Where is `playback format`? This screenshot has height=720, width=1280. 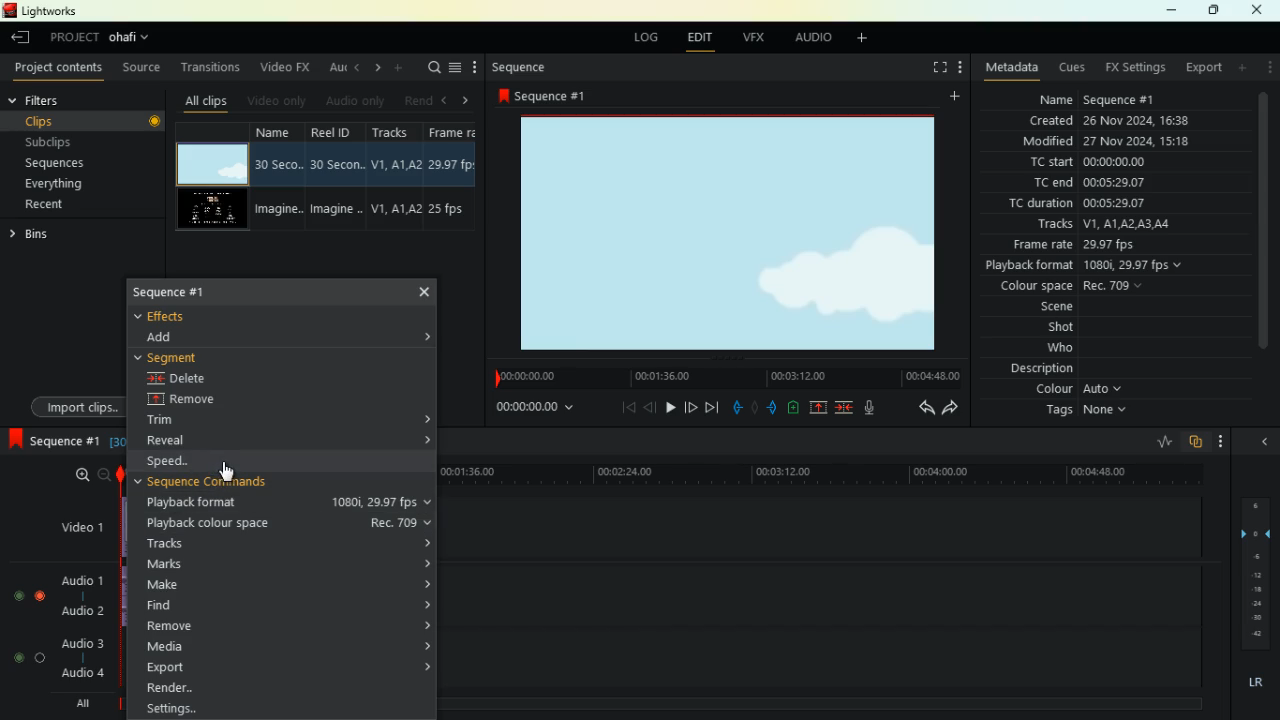
playback format is located at coordinates (1096, 267).